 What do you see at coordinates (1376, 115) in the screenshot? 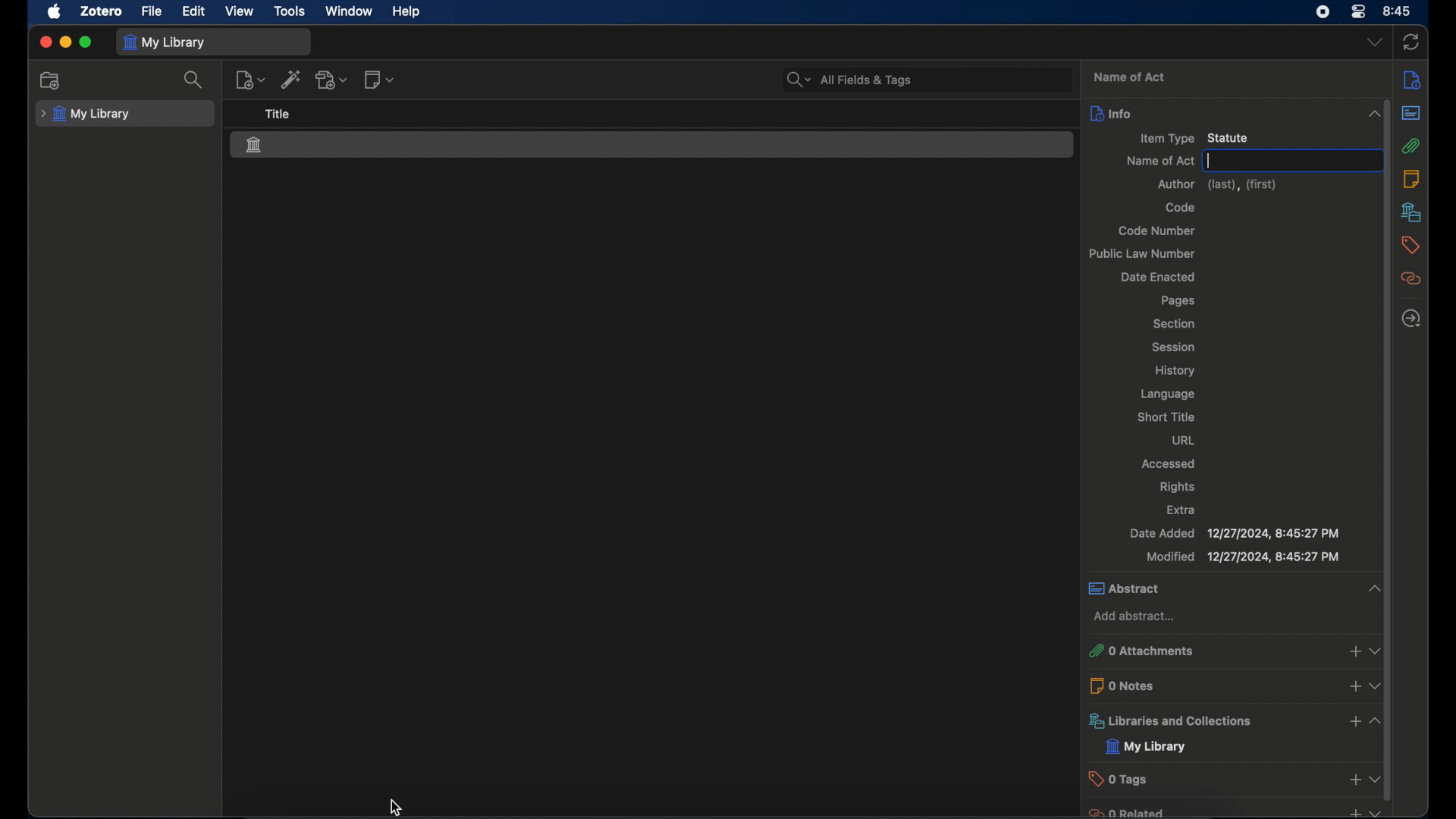
I see `collapse` at bounding box center [1376, 115].